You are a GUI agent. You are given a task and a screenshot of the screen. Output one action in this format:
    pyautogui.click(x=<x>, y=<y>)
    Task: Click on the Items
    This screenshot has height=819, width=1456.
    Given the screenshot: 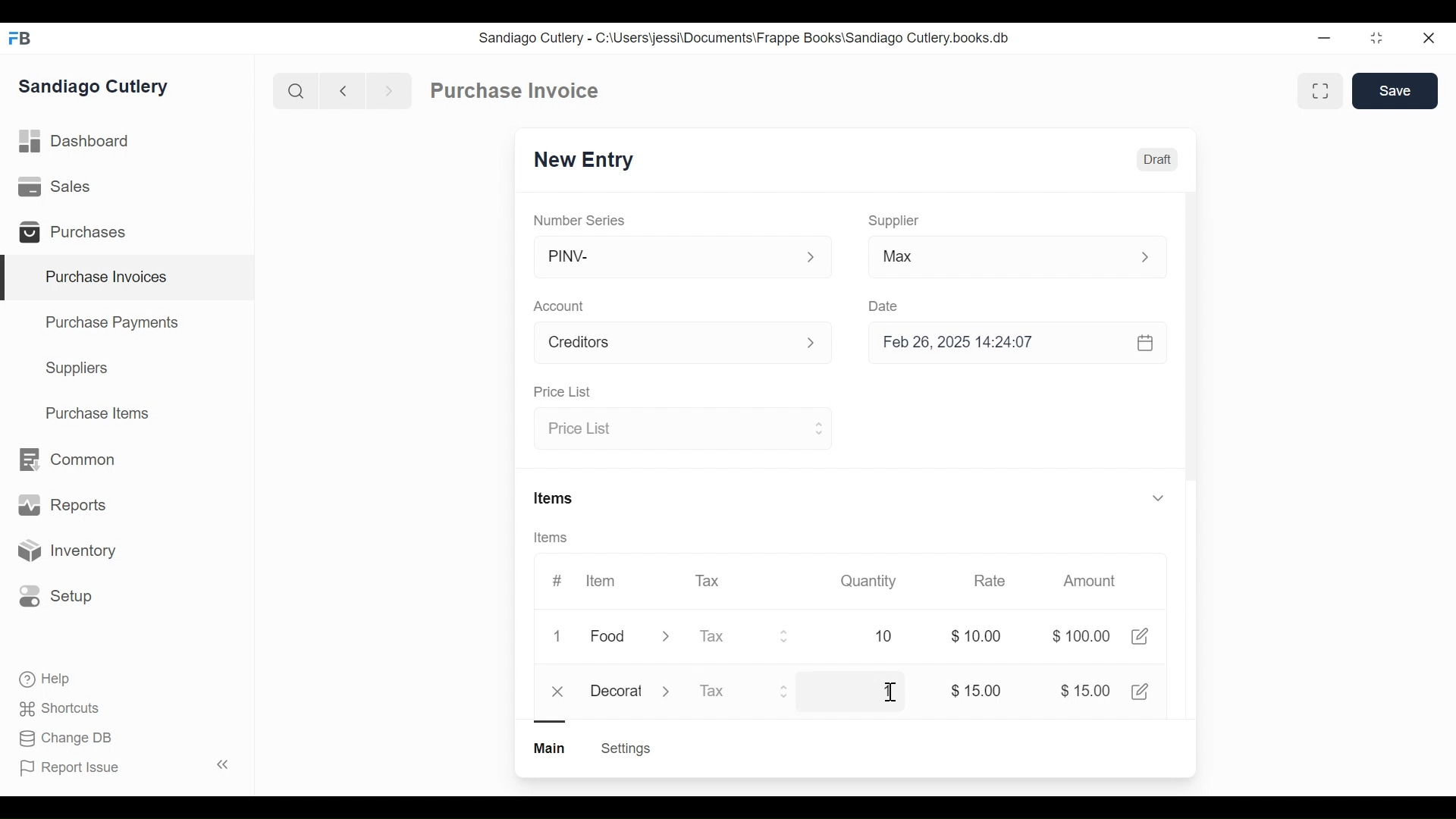 What is the action you would take?
    pyautogui.click(x=555, y=500)
    